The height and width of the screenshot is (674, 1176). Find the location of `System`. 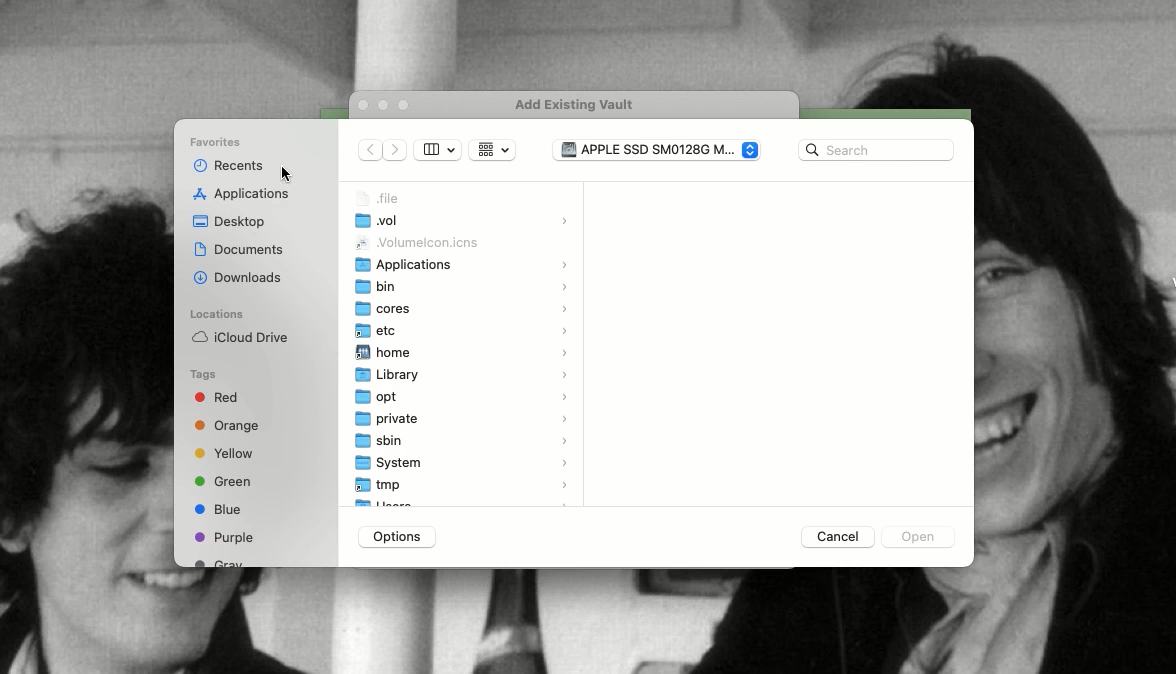

System is located at coordinates (463, 462).